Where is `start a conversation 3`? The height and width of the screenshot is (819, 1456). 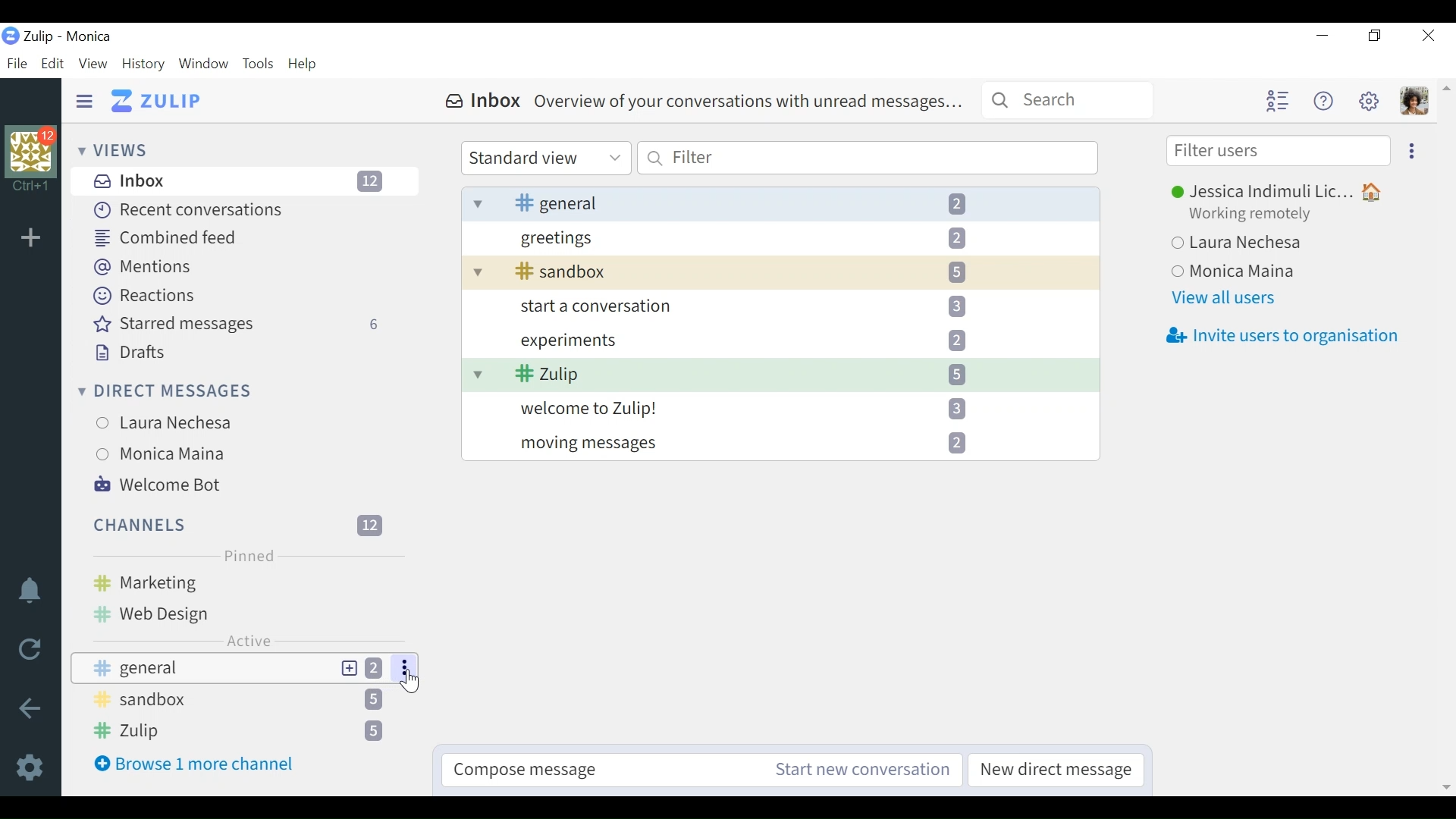 start a conversation 3 is located at coordinates (780, 306).